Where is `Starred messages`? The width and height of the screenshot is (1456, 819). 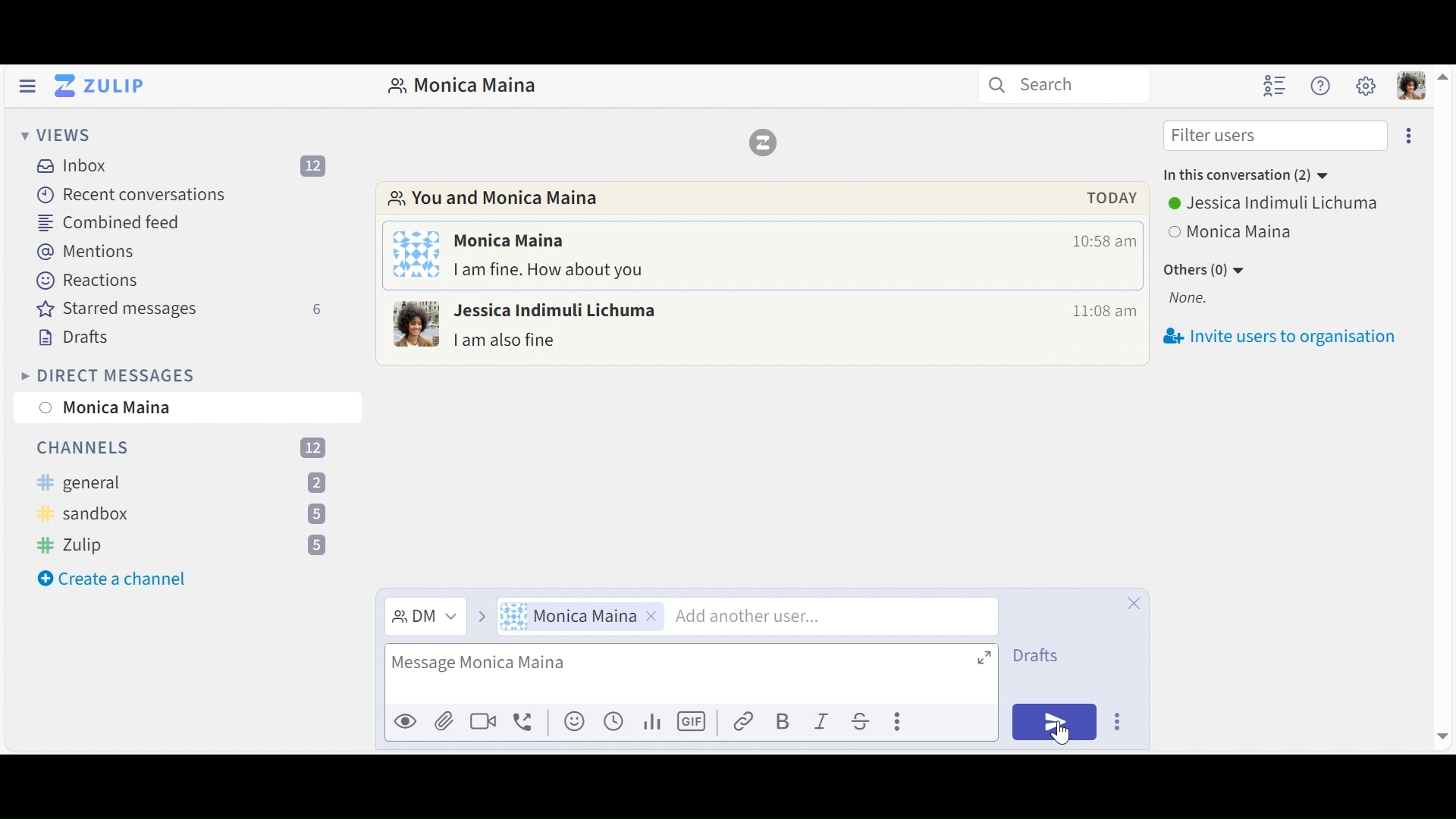 Starred messages is located at coordinates (177, 308).